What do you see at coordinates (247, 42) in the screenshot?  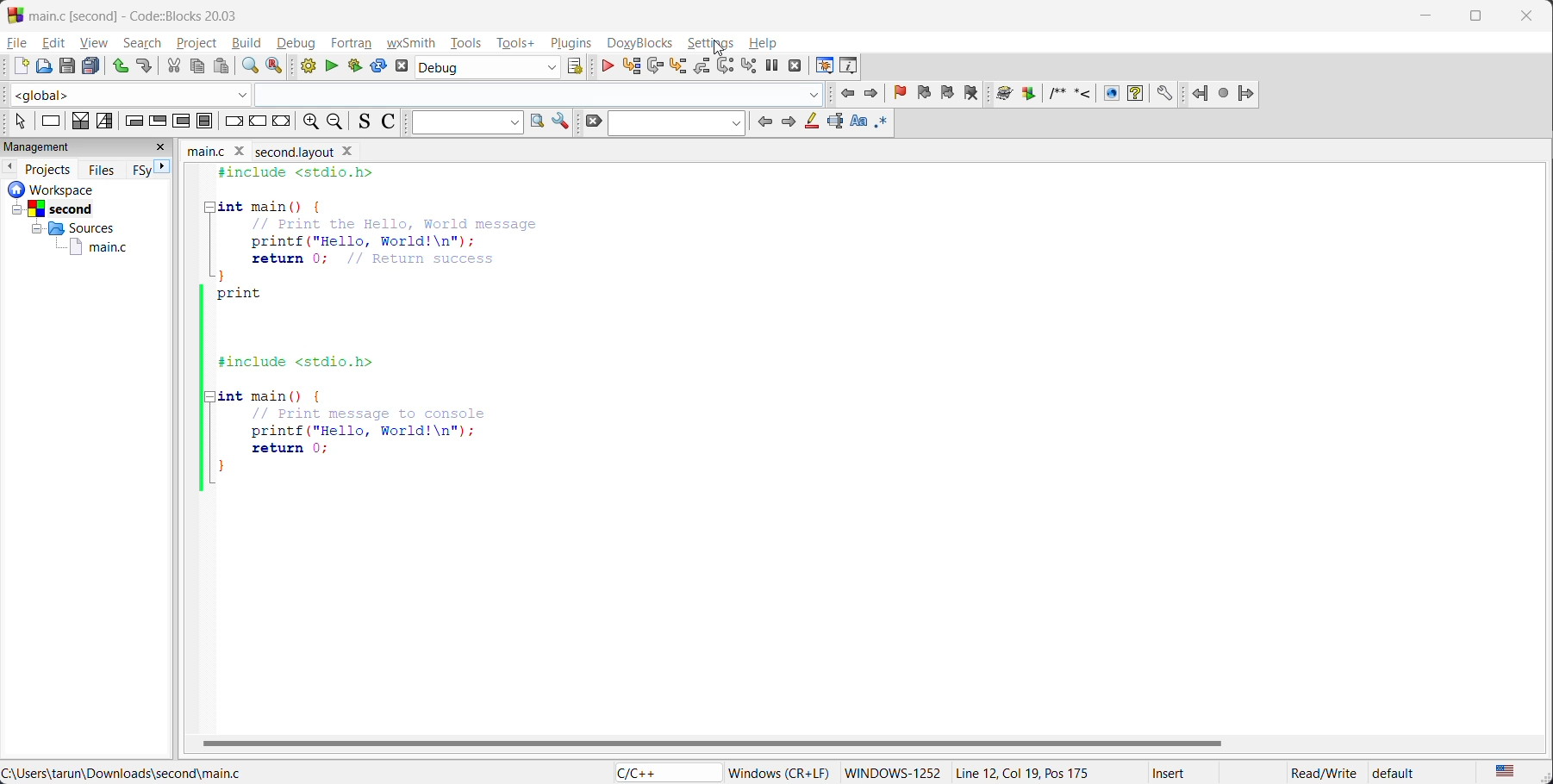 I see `build` at bounding box center [247, 42].